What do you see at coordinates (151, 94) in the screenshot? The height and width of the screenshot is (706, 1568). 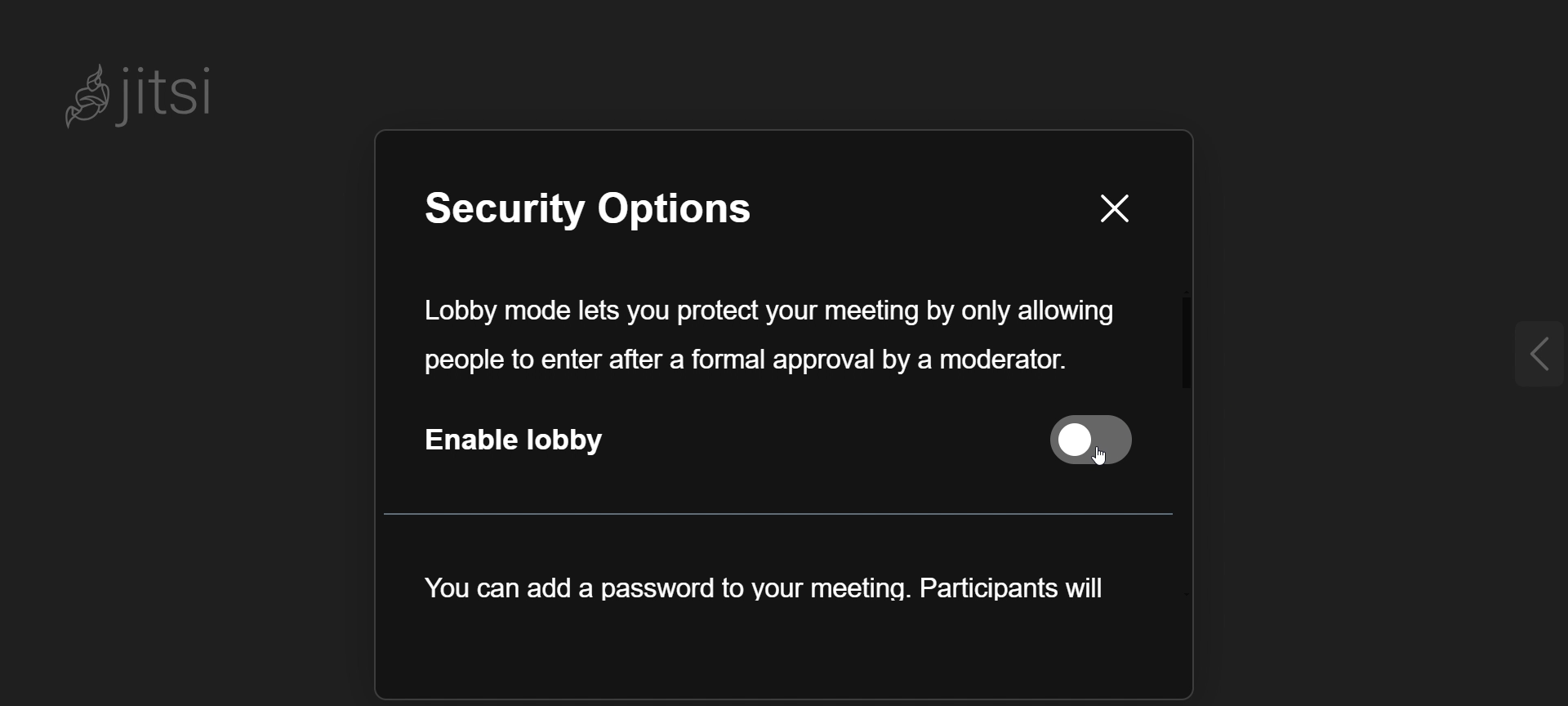 I see `Jitsi` at bounding box center [151, 94].